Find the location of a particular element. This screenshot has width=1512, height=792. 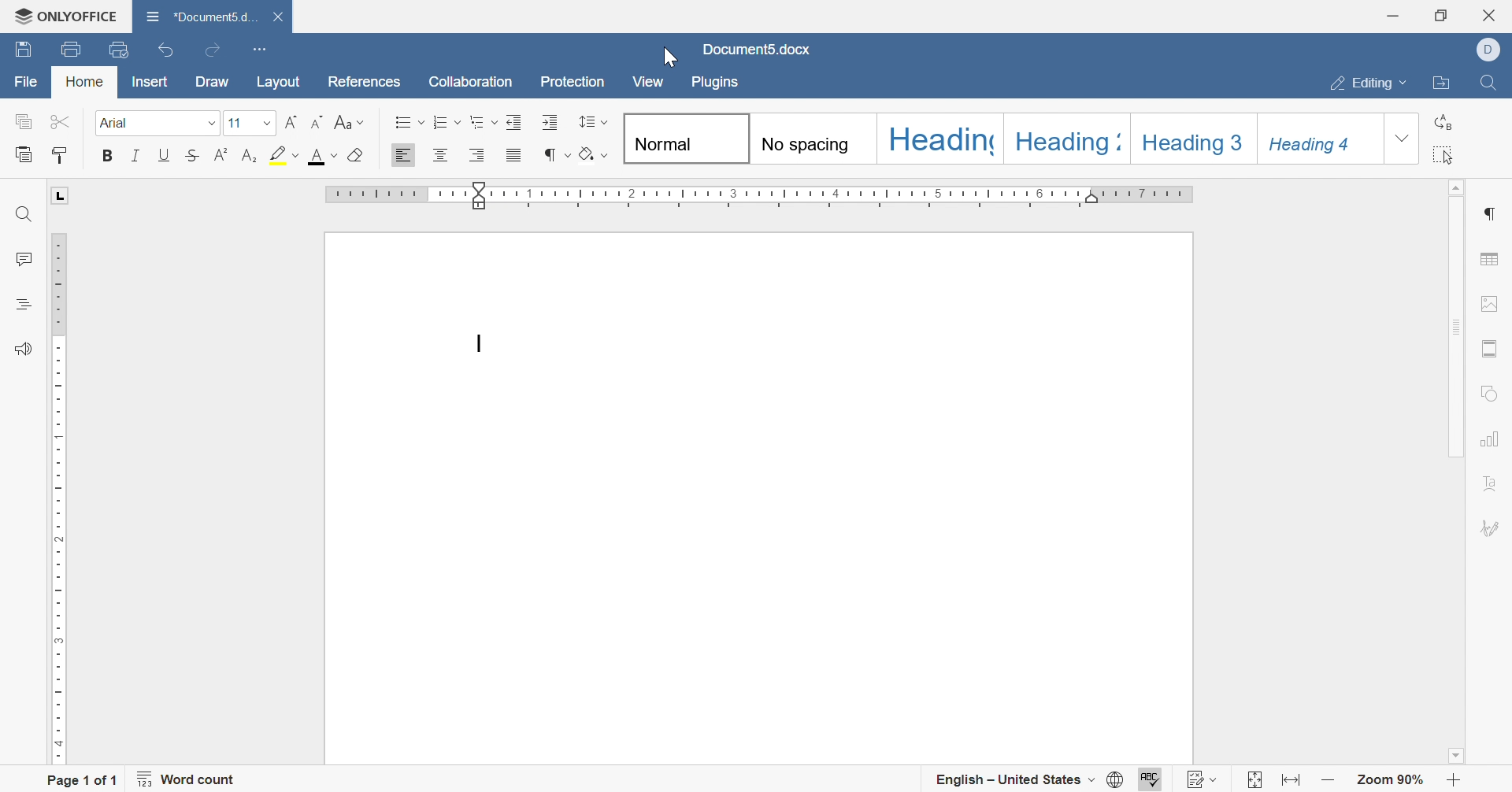

bold is located at coordinates (105, 154).